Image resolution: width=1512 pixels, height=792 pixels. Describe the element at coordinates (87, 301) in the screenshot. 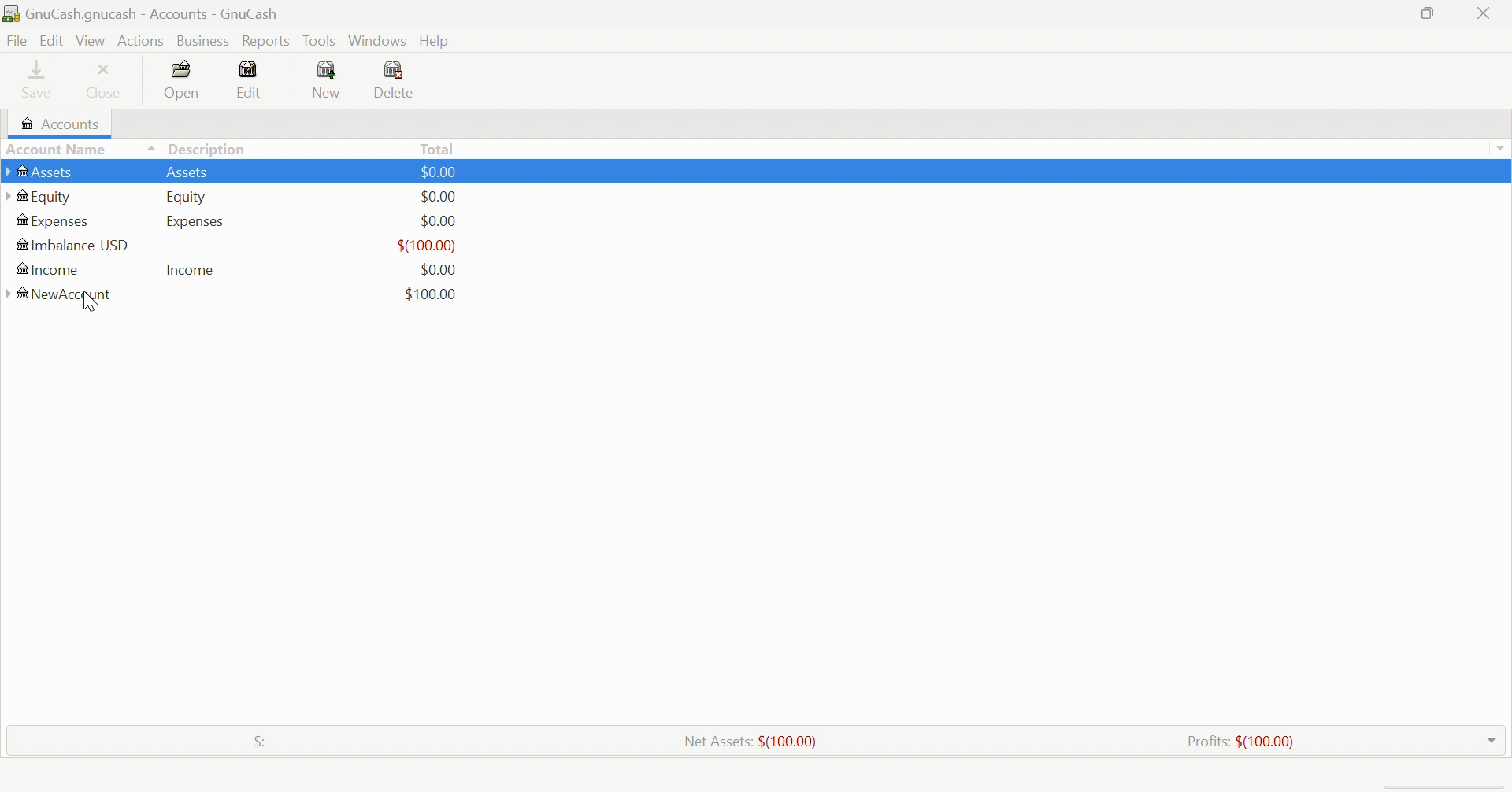

I see `cursor` at that location.